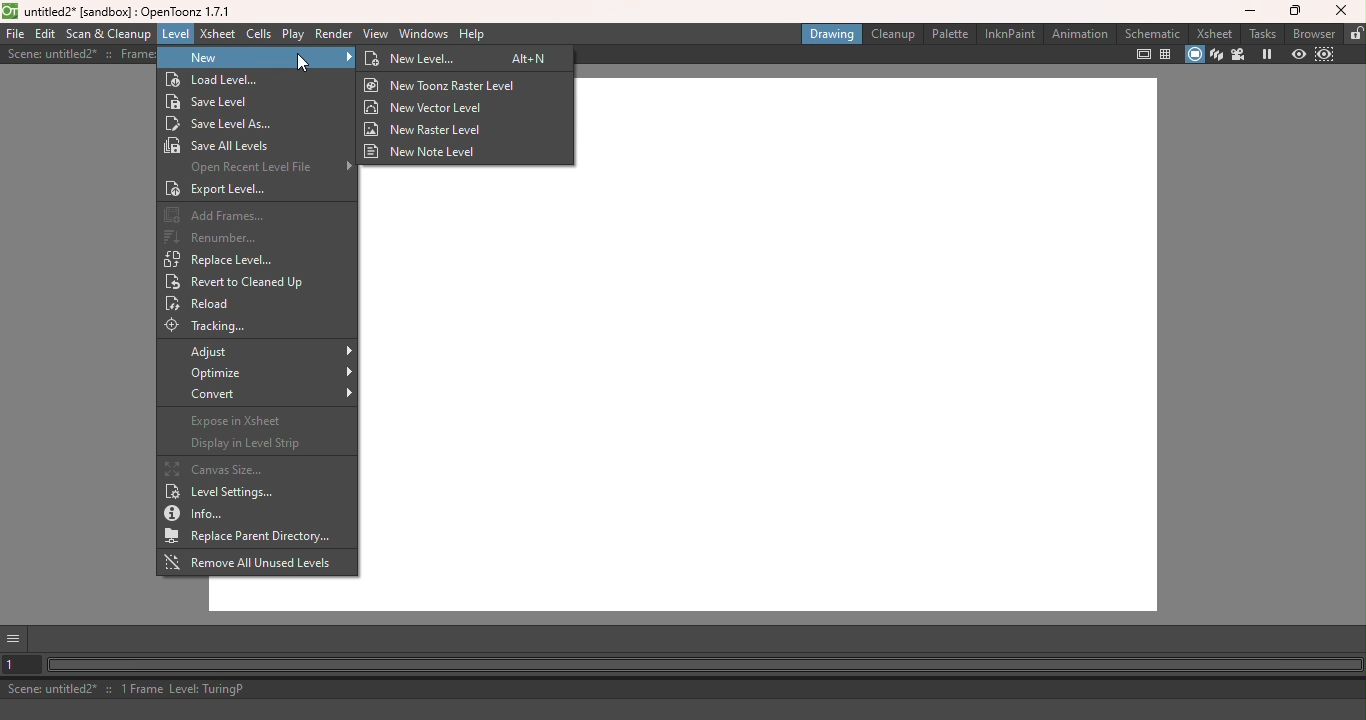 This screenshot has height=720, width=1366. Describe the element at coordinates (269, 351) in the screenshot. I see `Adjust` at that location.